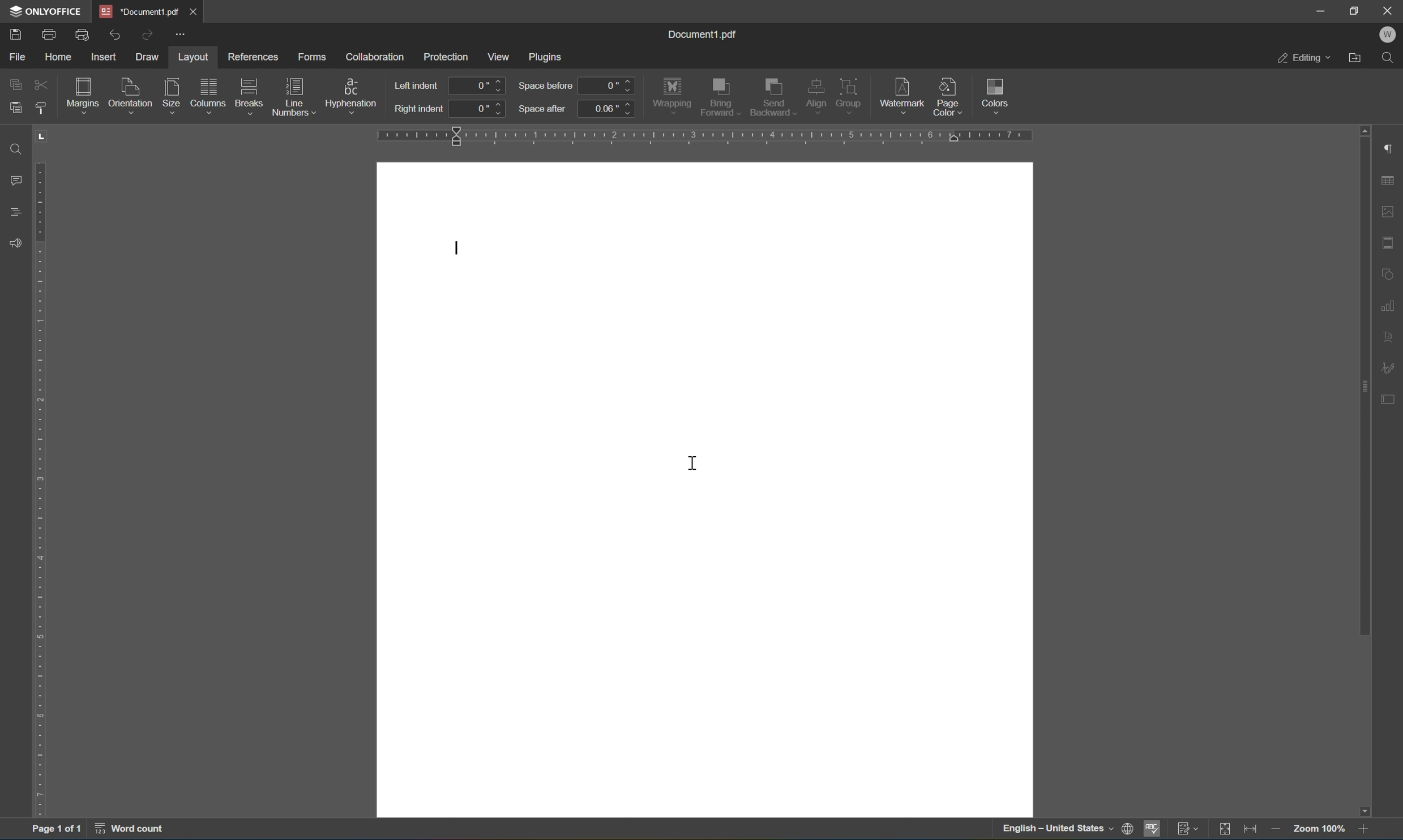  What do you see at coordinates (311, 54) in the screenshot?
I see `forms` at bounding box center [311, 54].